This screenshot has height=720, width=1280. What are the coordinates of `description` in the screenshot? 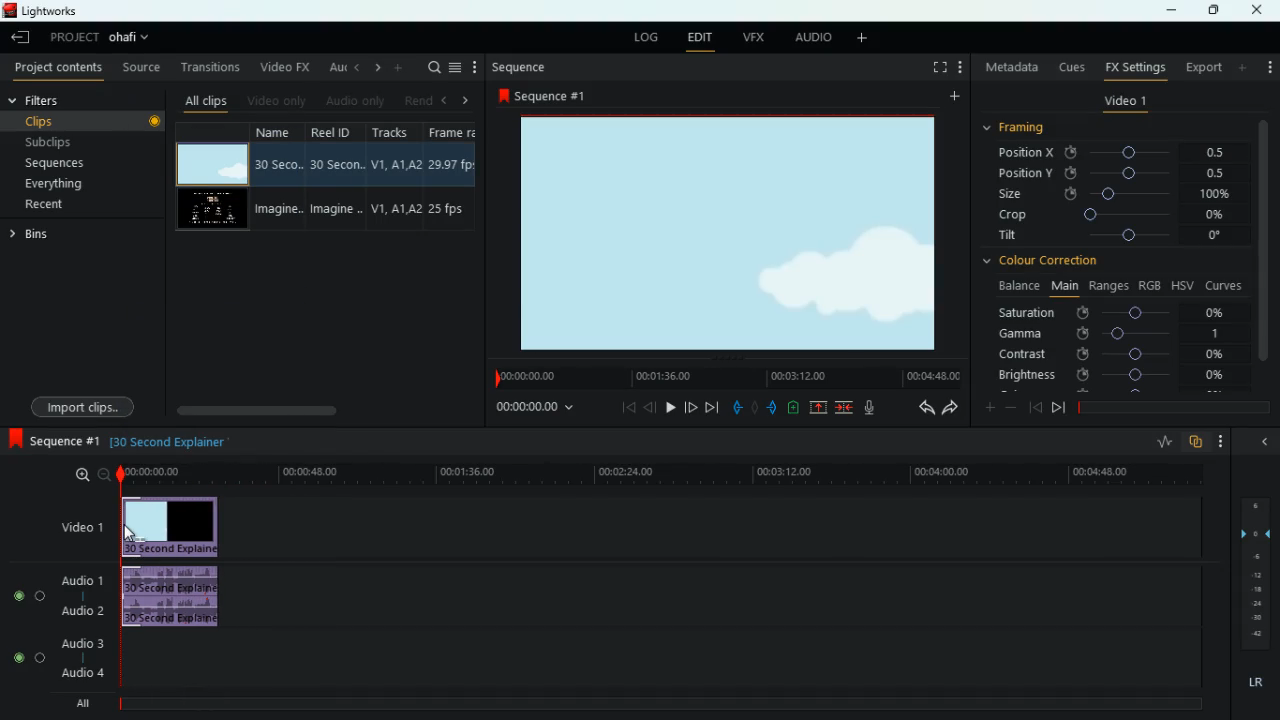 It's located at (170, 442).